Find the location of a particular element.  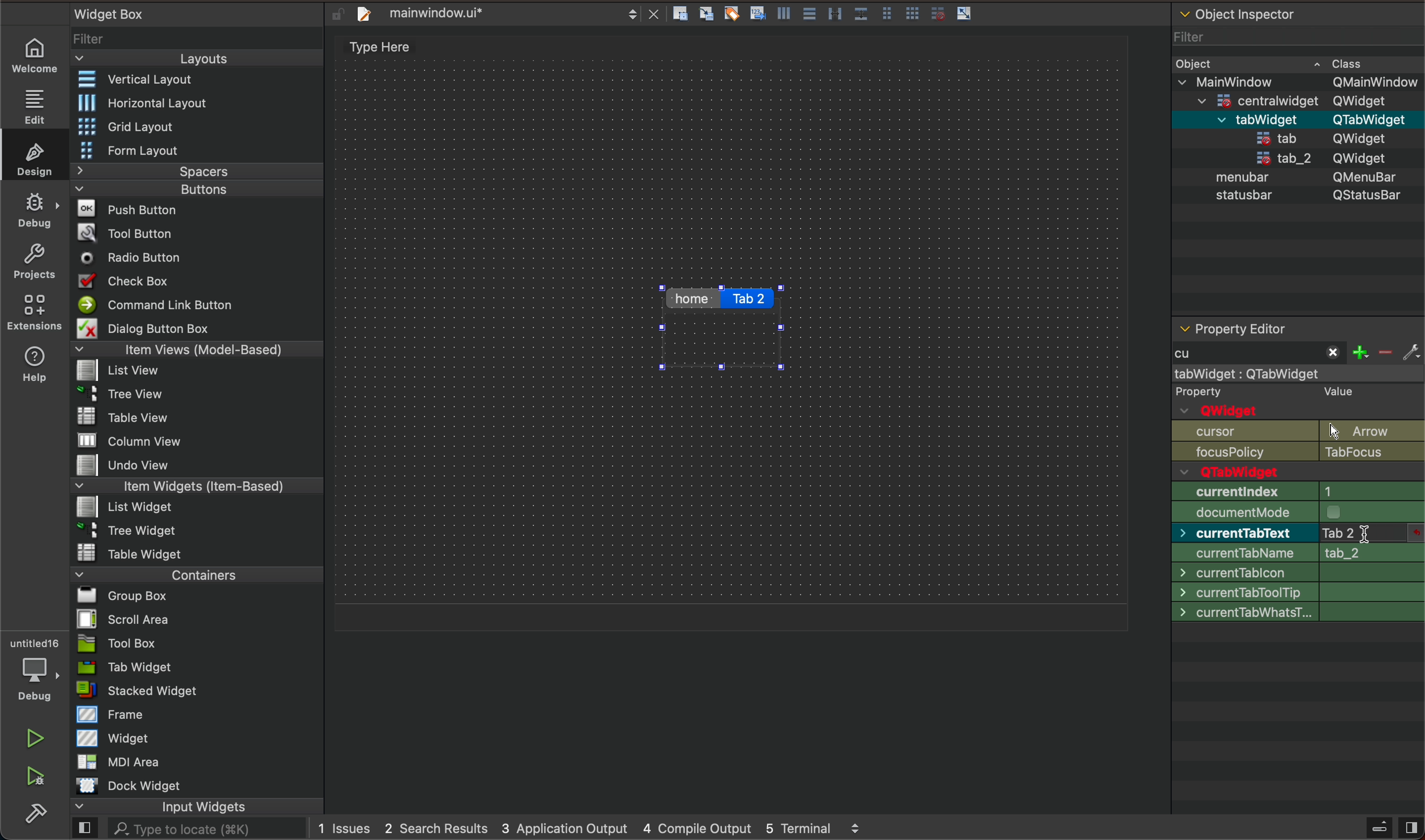

~ 3 Tree Widget is located at coordinates (119, 530).